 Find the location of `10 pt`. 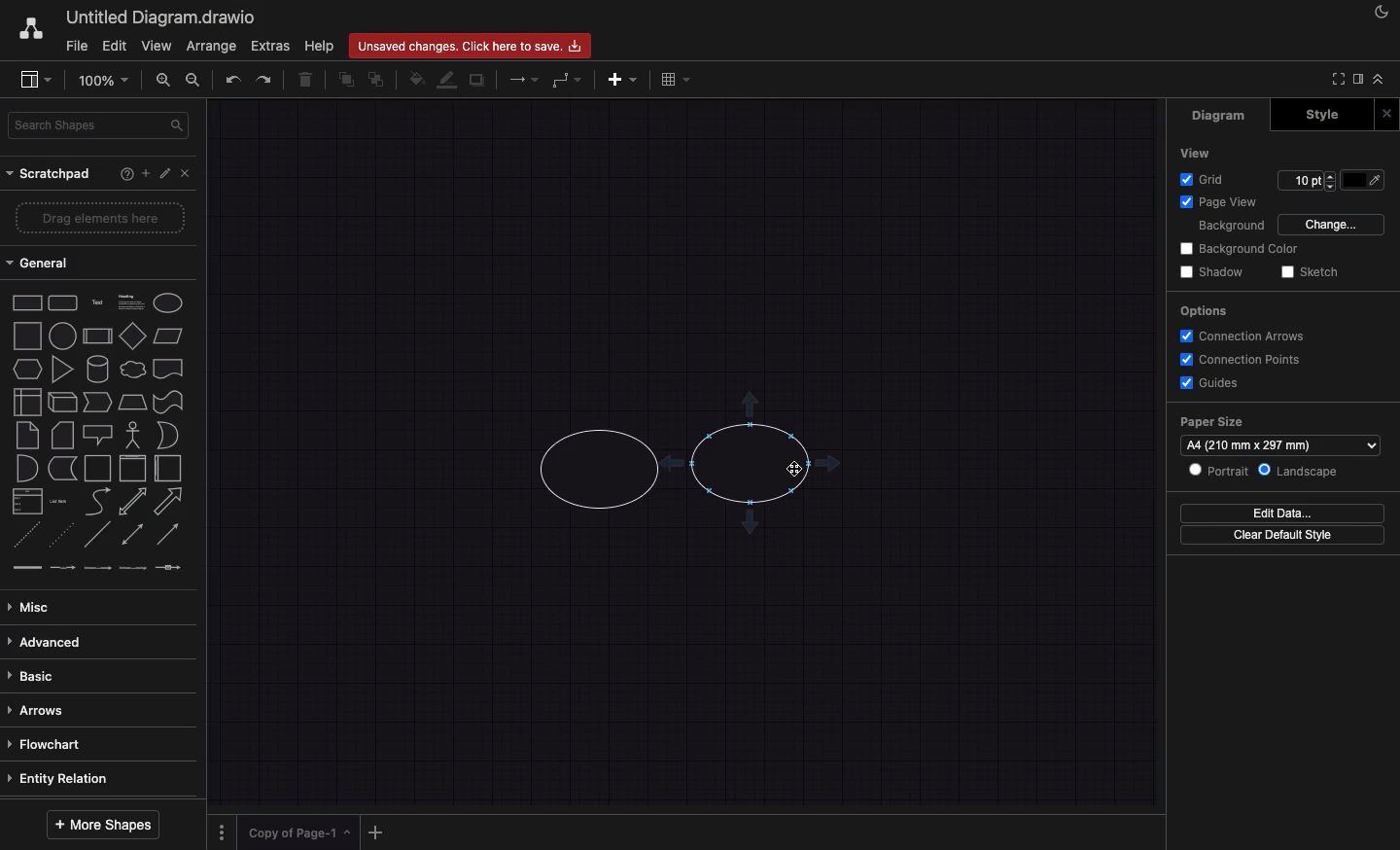

10 pt is located at coordinates (1308, 181).